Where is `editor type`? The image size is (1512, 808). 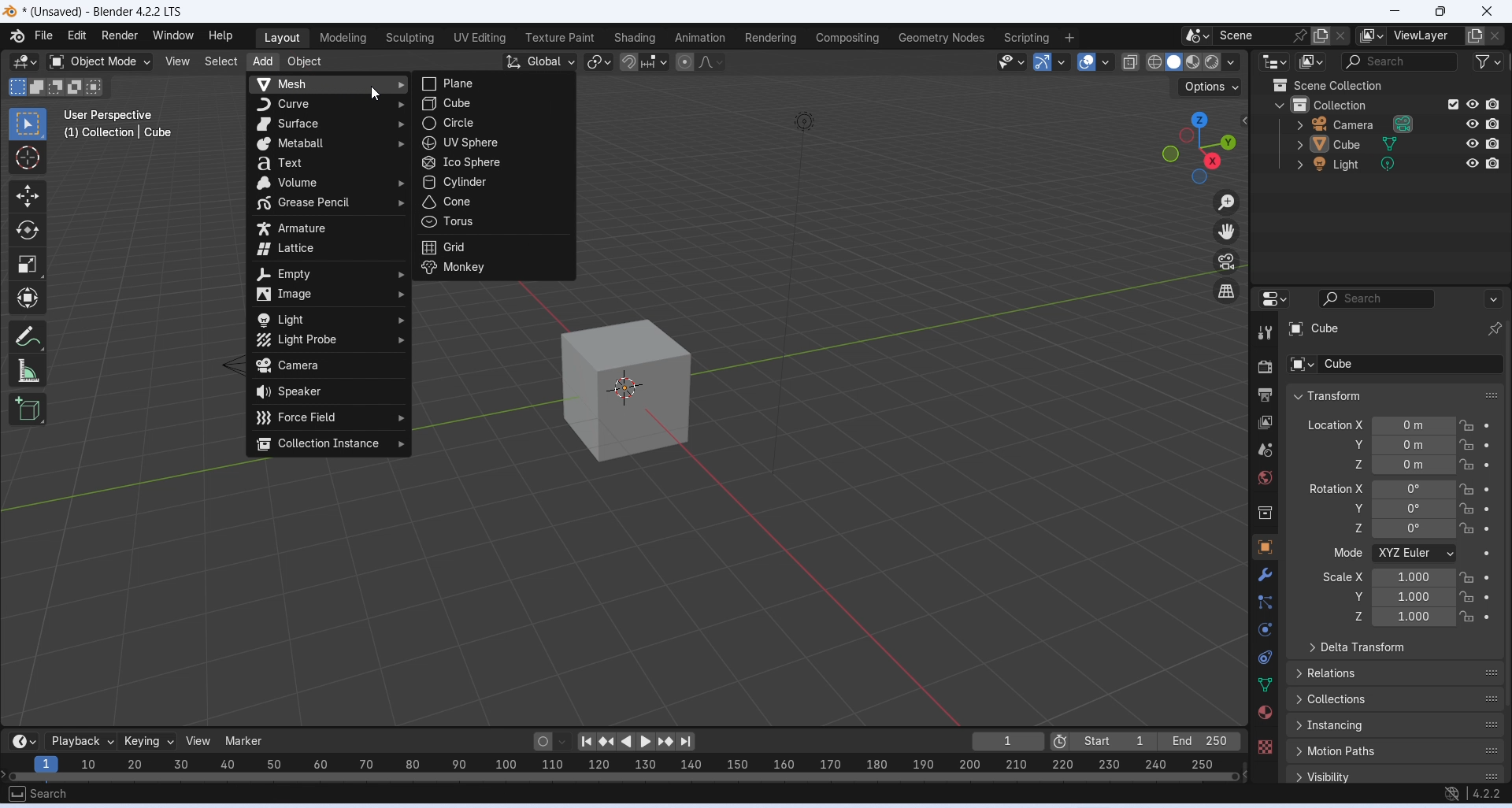
editor type is located at coordinates (1274, 297).